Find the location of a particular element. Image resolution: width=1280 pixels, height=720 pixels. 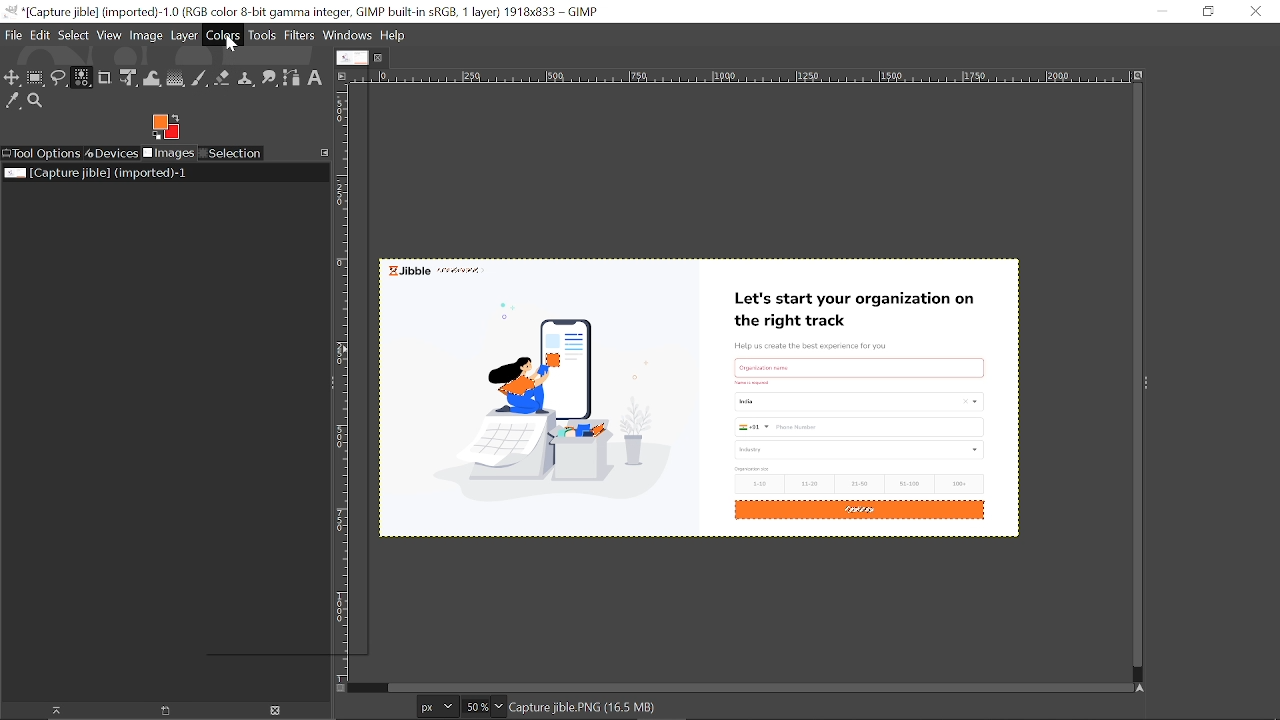

Tool options is located at coordinates (41, 154).